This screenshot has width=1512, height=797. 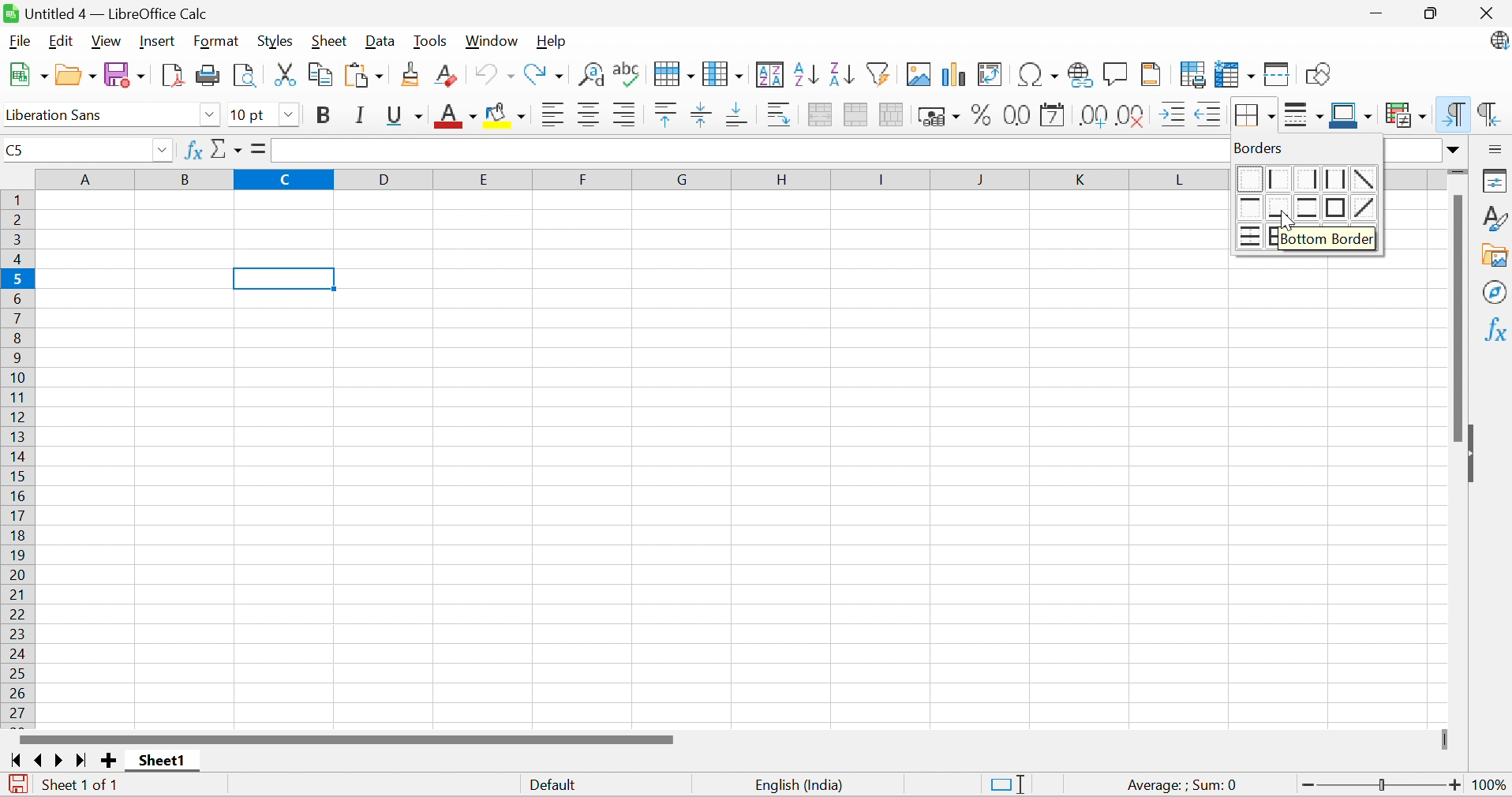 What do you see at coordinates (1195, 77) in the screenshot?
I see `Define print area` at bounding box center [1195, 77].